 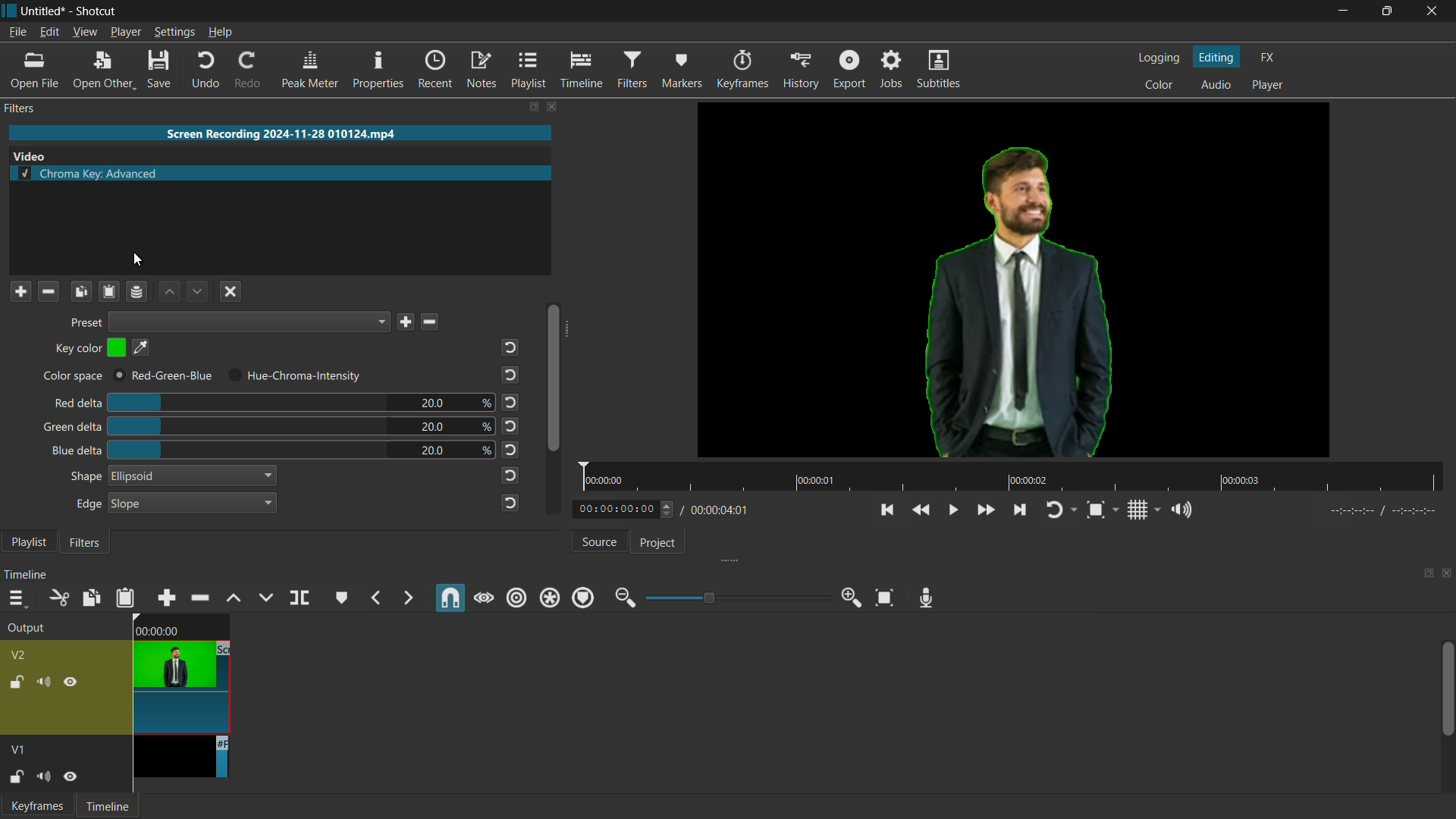 I want to click on delete, so click(x=431, y=322).